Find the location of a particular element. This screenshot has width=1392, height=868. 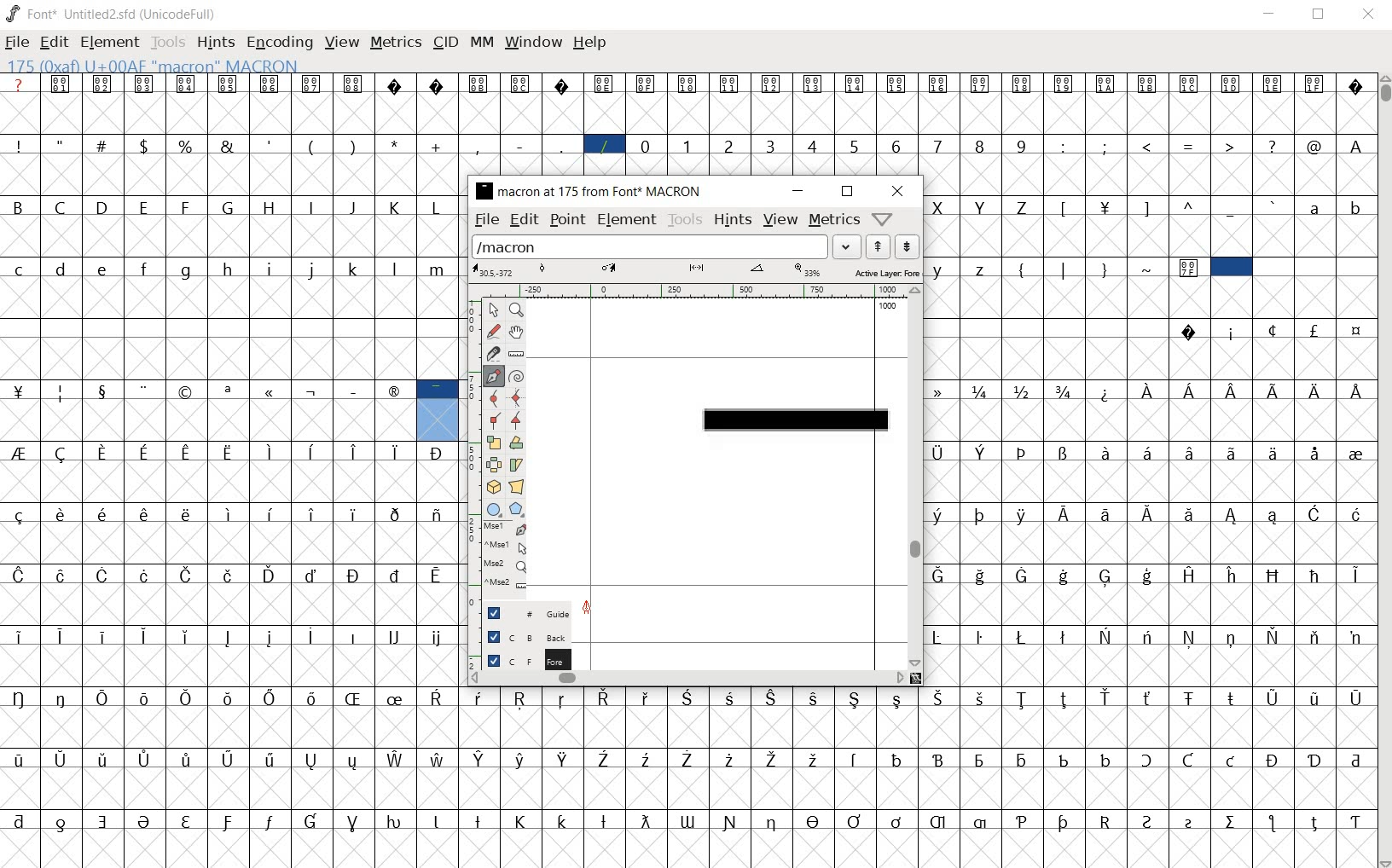

file is located at coordinates (484, 219).